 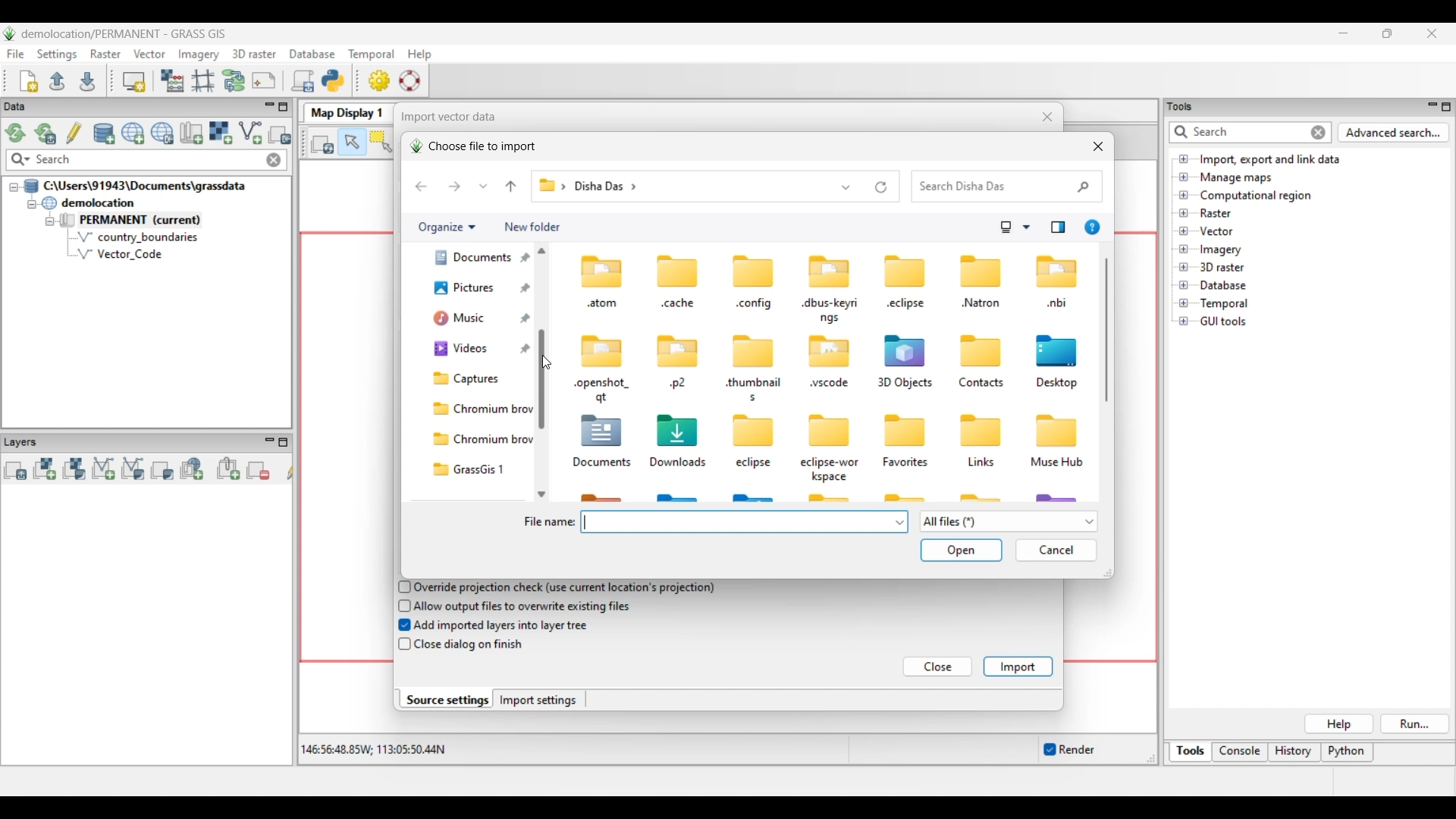 I want to click on Type in or enter details for quick search, so click(x=1237, y=132).